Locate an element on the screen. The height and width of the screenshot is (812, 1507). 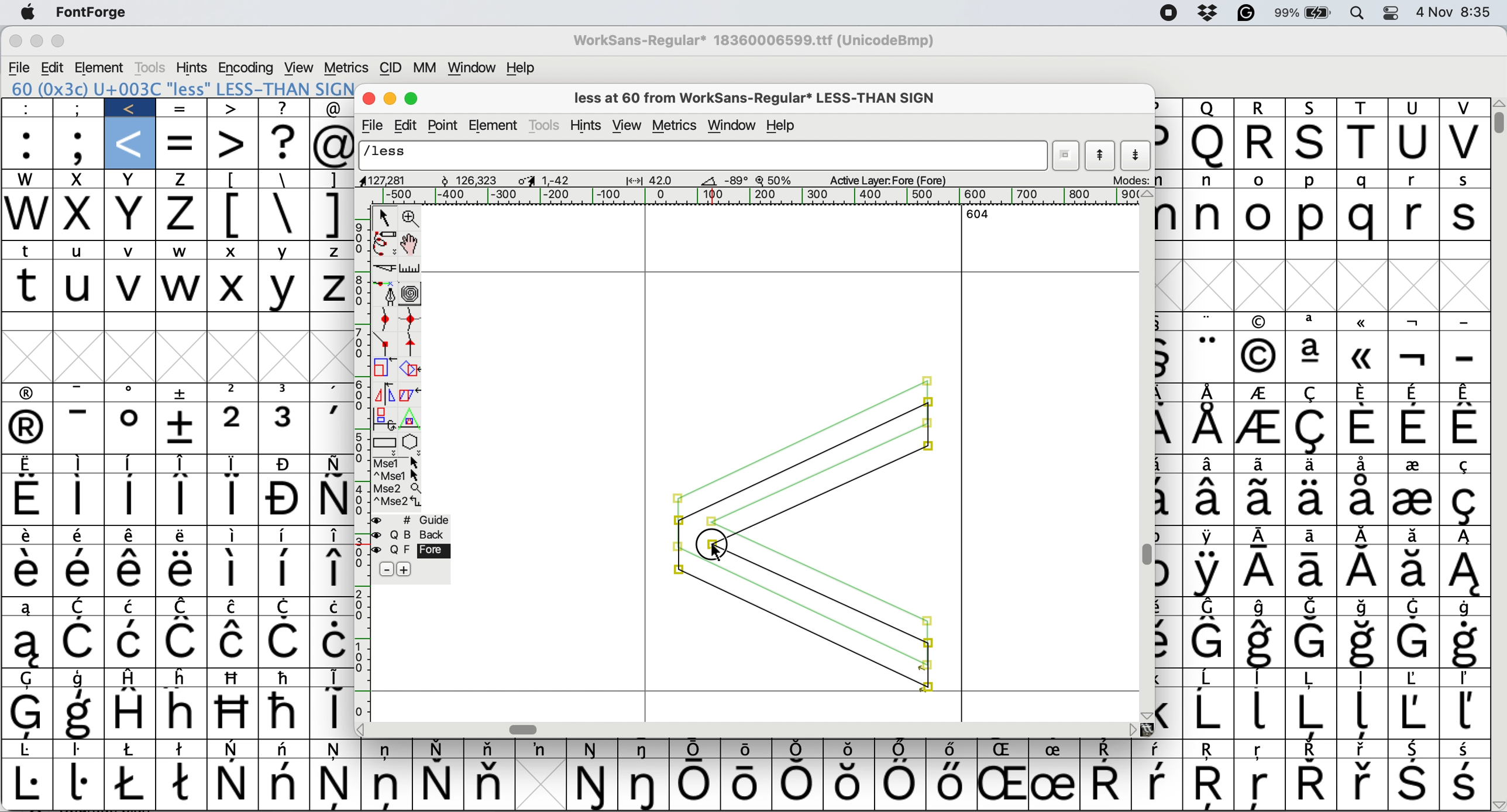
Symbol is located at coordinates (29, 644).